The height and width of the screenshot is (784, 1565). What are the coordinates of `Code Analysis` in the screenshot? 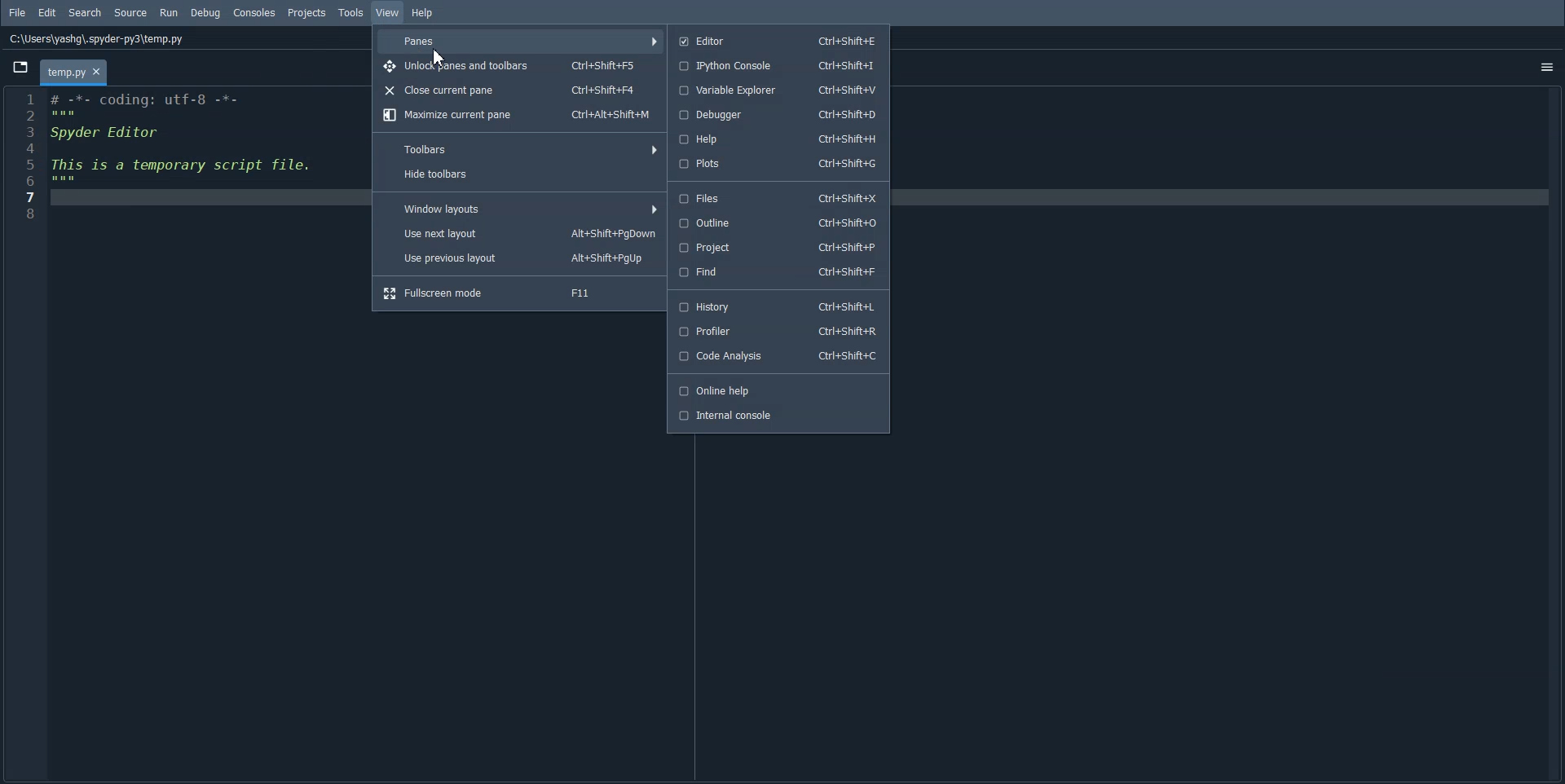 It's located at (780, 357).